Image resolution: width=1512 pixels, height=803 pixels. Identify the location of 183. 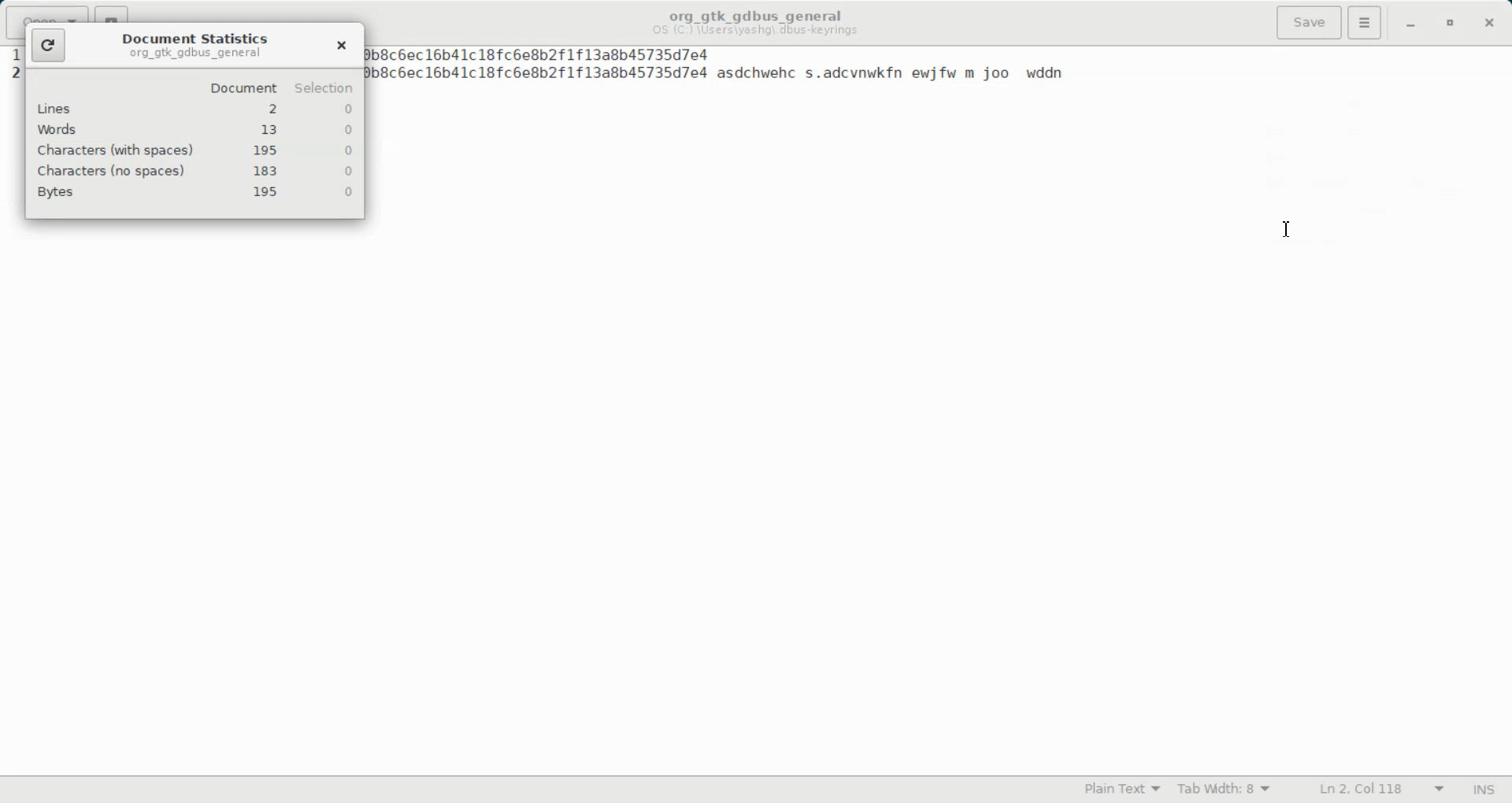
(265, 172).